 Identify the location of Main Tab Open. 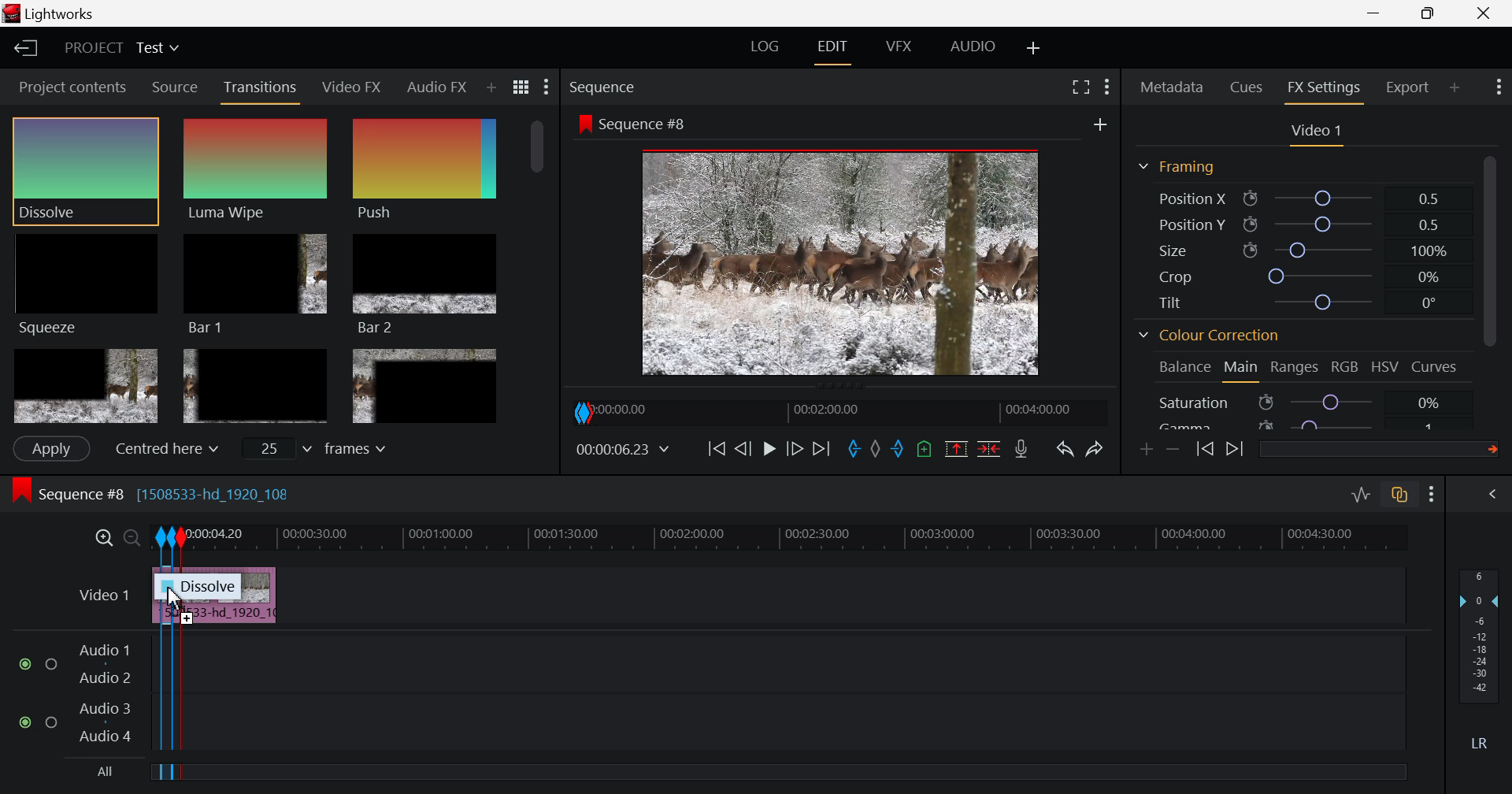
(1242, 369).